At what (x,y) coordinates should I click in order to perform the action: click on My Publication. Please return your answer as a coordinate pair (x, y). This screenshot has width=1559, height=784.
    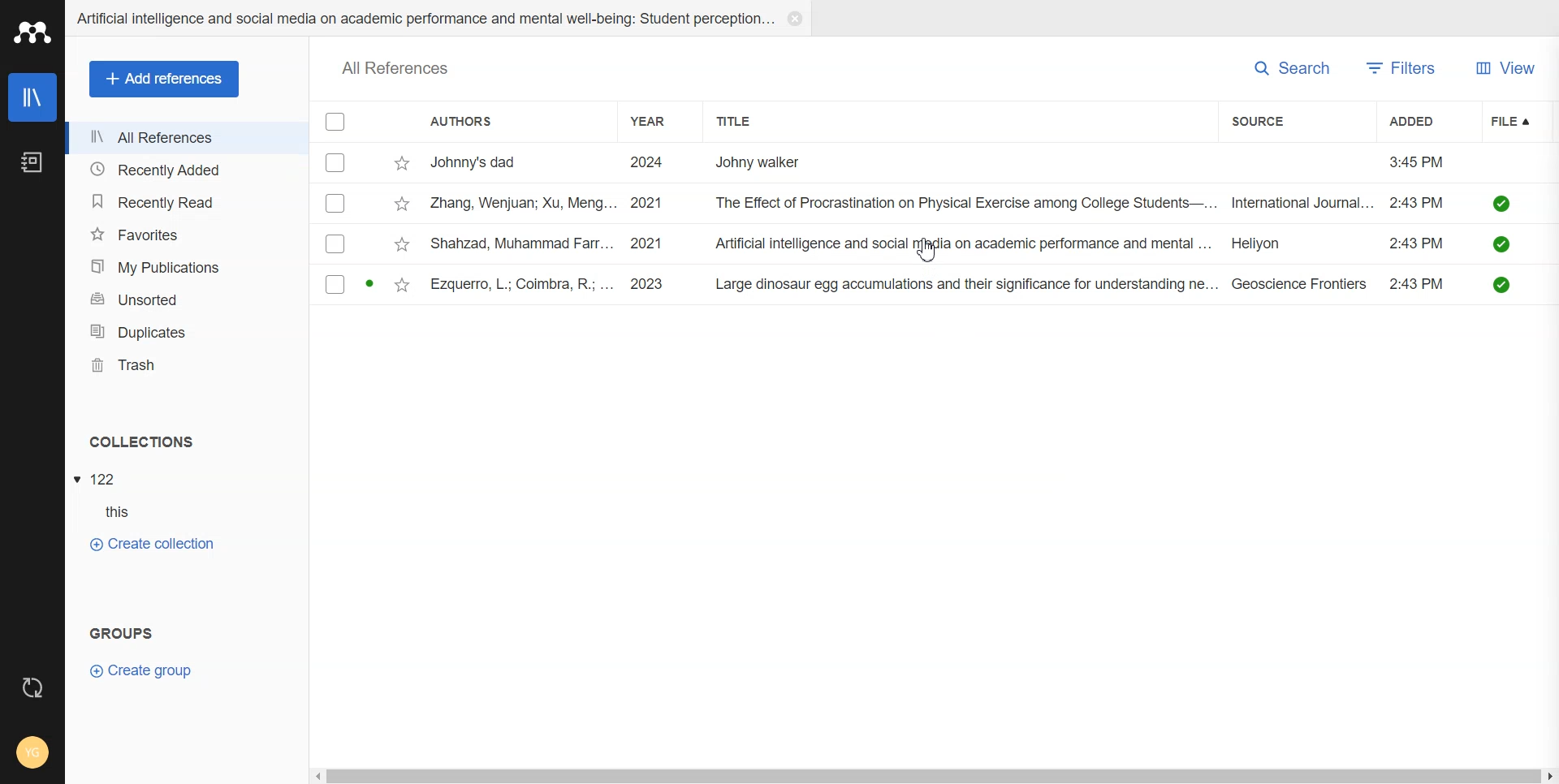
    Looking at the image, I should click on (187, 267).